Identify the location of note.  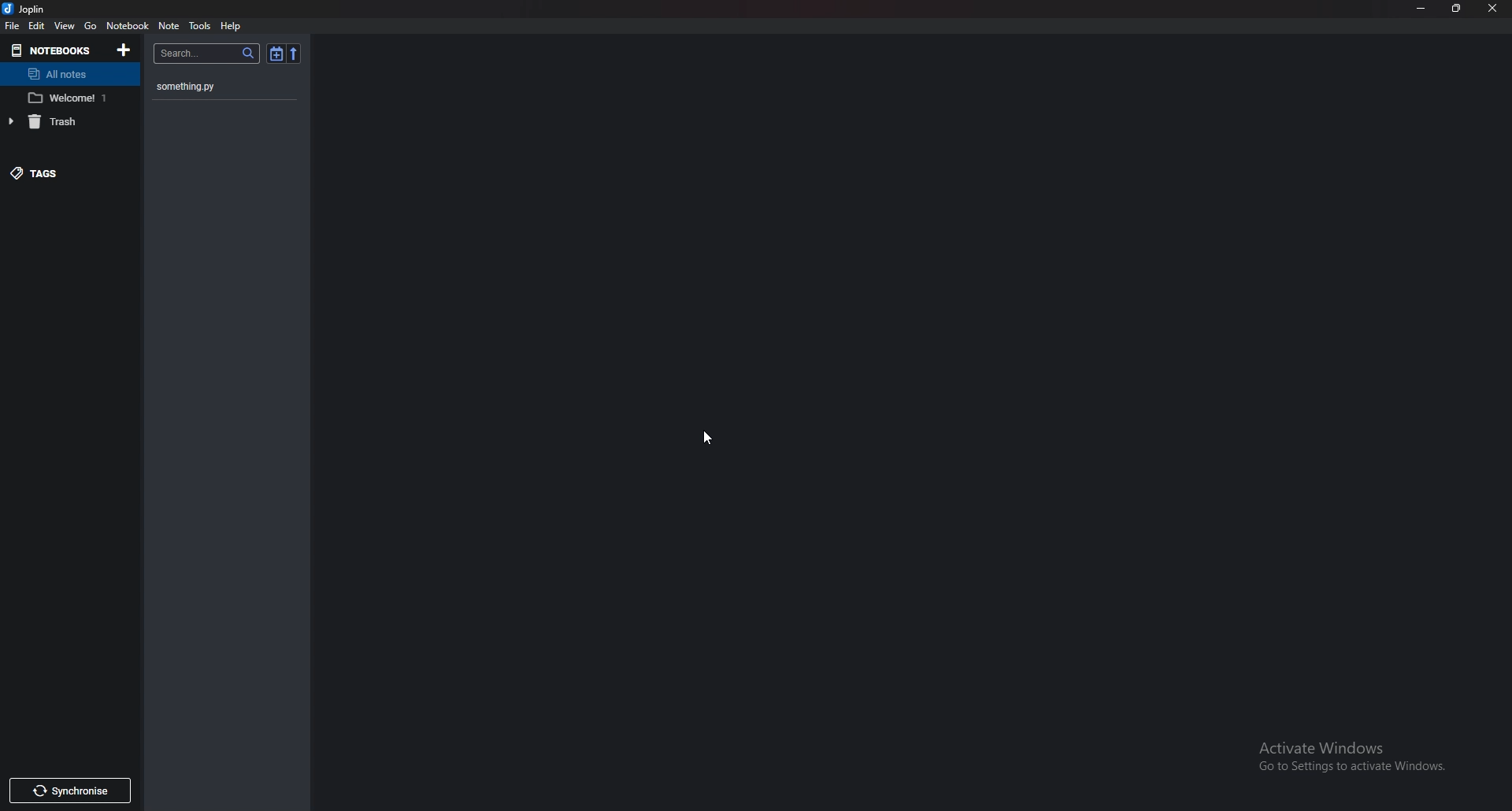
(169, 27).